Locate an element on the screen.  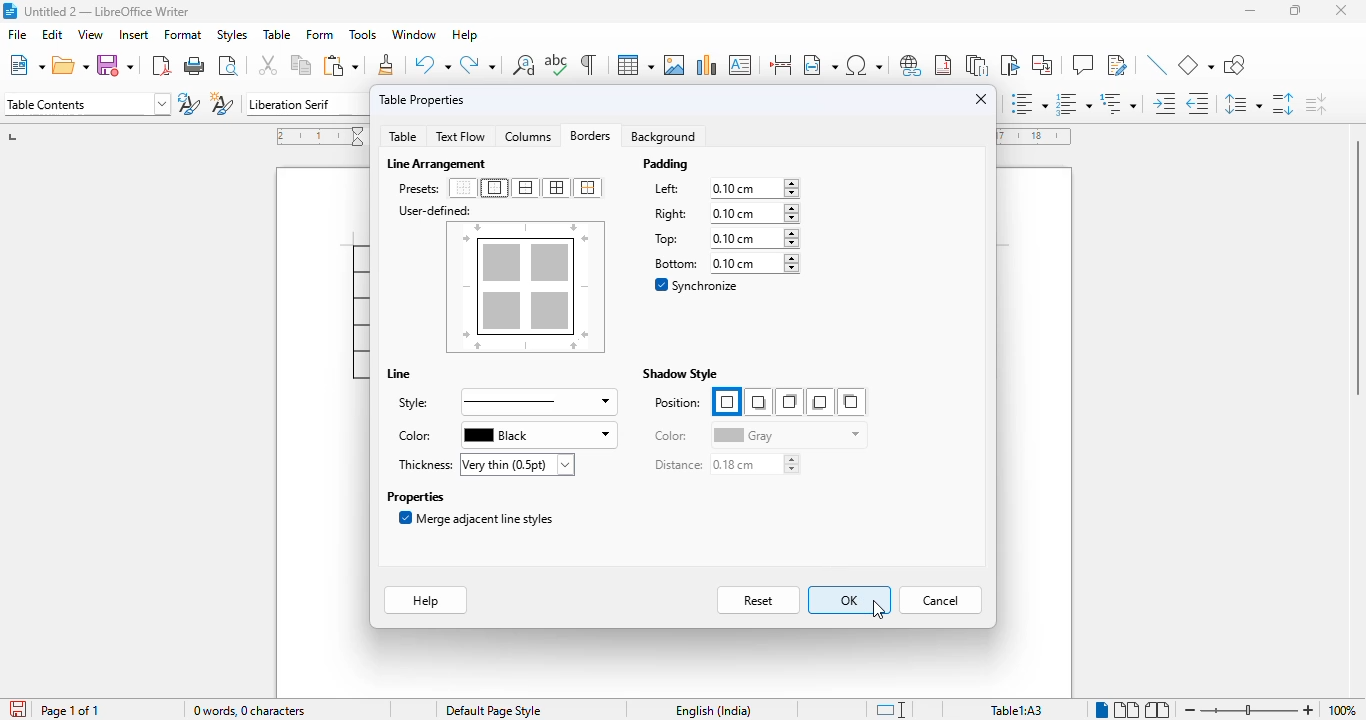
toggle ordered list is located at coordinates (1072, 103).